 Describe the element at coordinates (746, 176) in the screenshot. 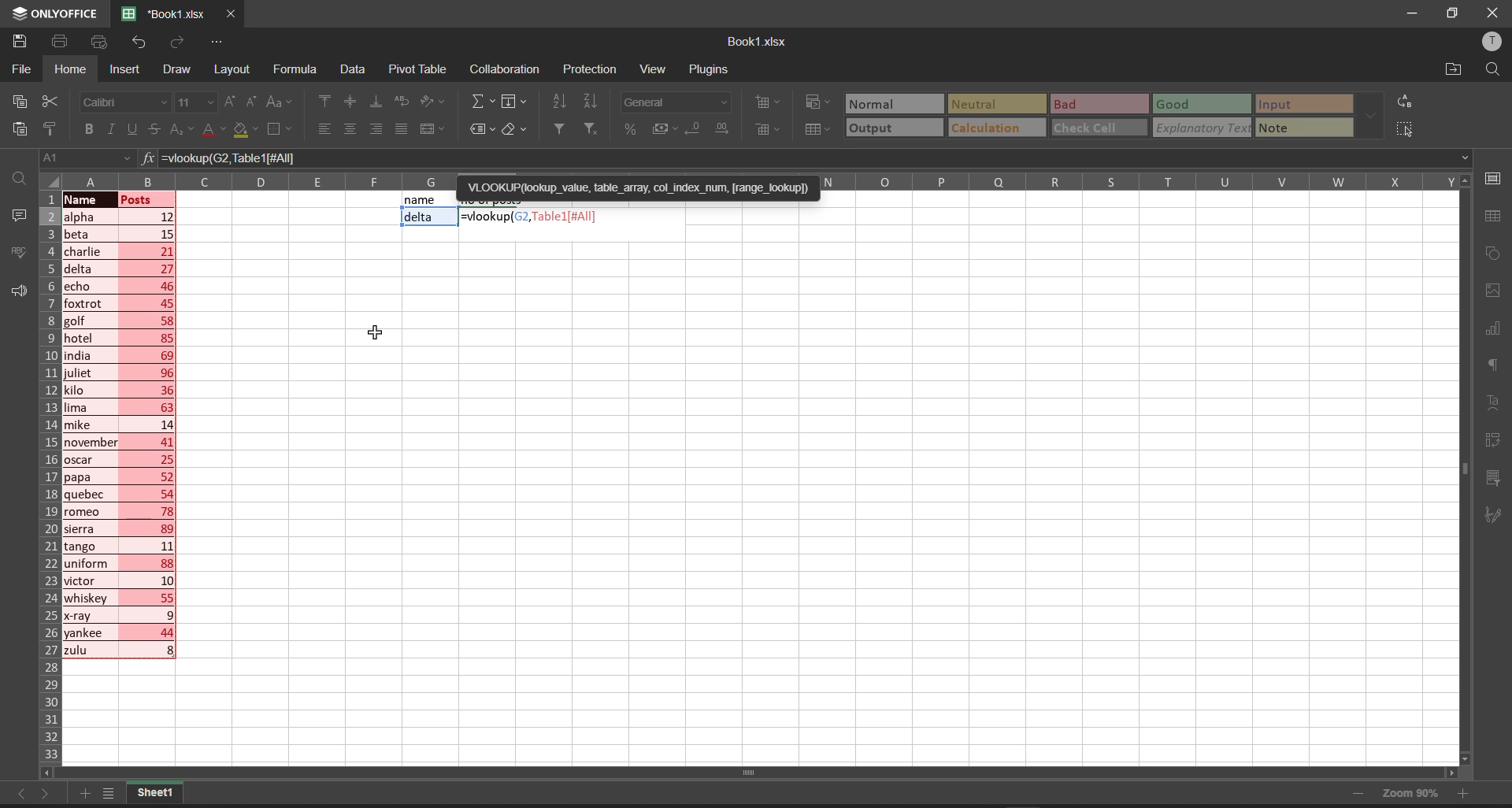

I see `column names` at that location.